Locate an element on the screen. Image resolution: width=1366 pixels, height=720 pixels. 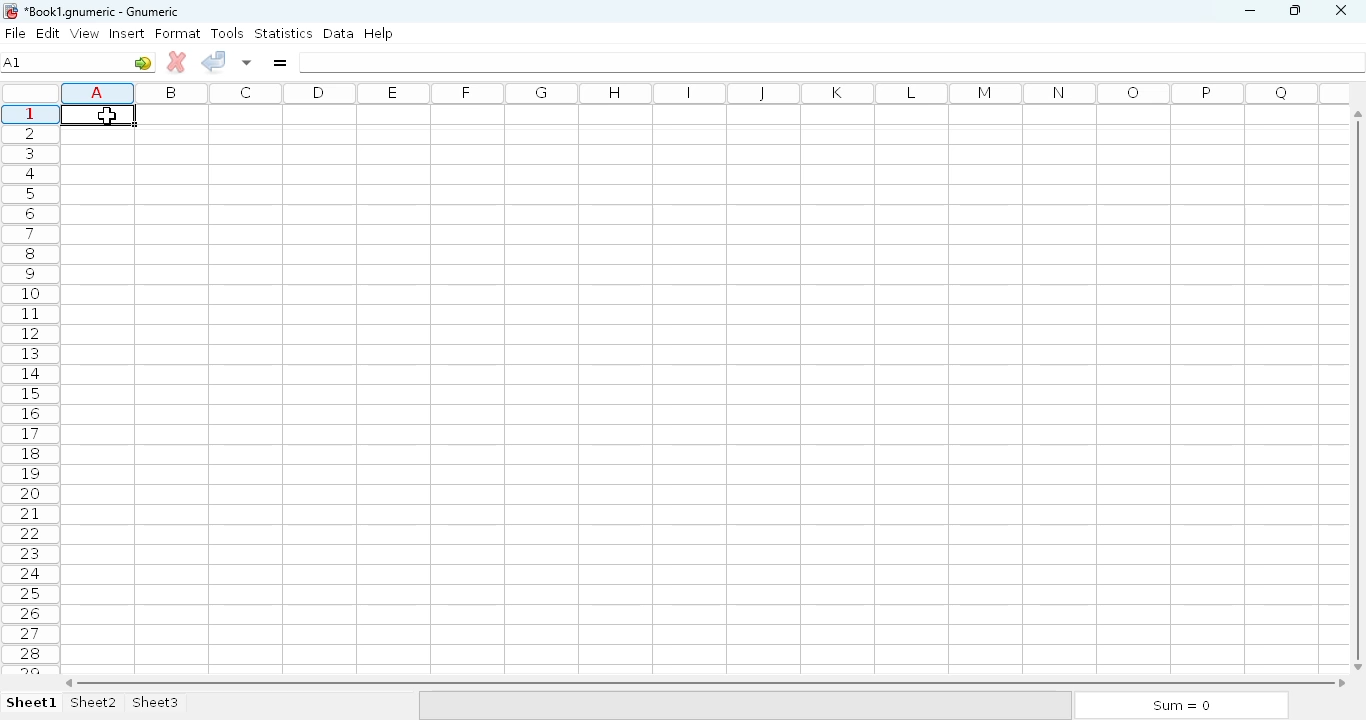
sum = 0 is located at coordinates (1179, 706).